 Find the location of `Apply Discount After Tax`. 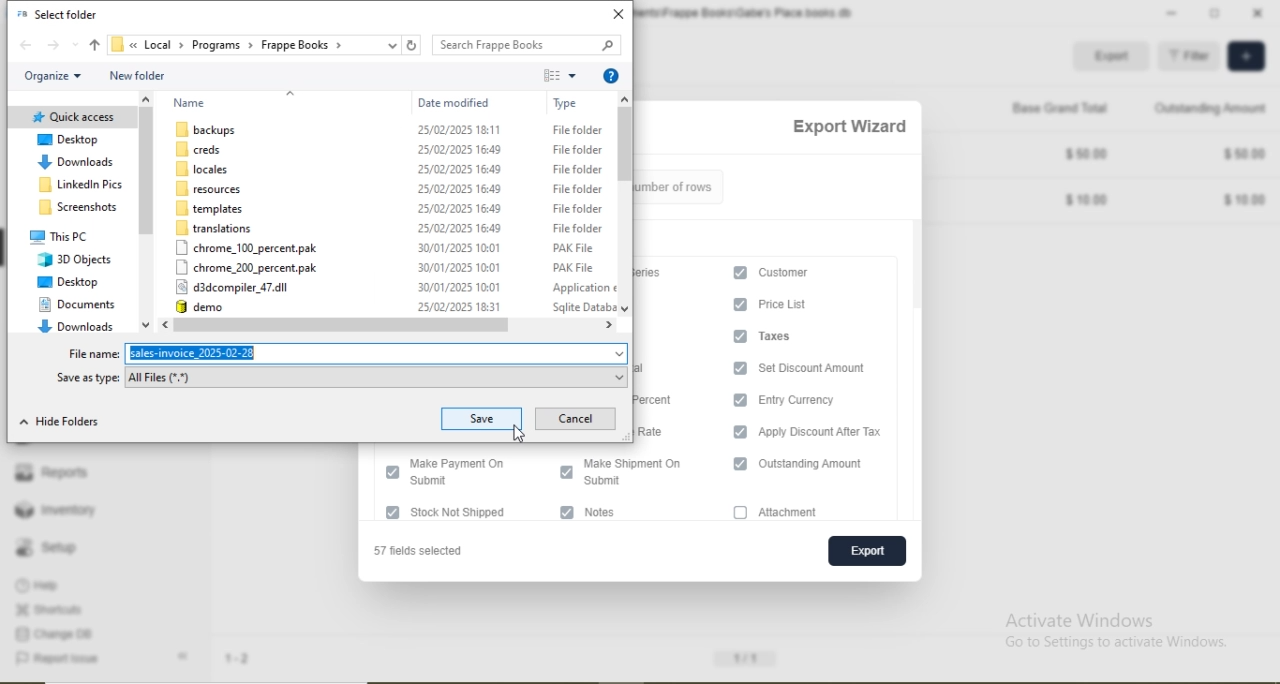

Apply Discount After Tax is located at coordinates (830, 432).